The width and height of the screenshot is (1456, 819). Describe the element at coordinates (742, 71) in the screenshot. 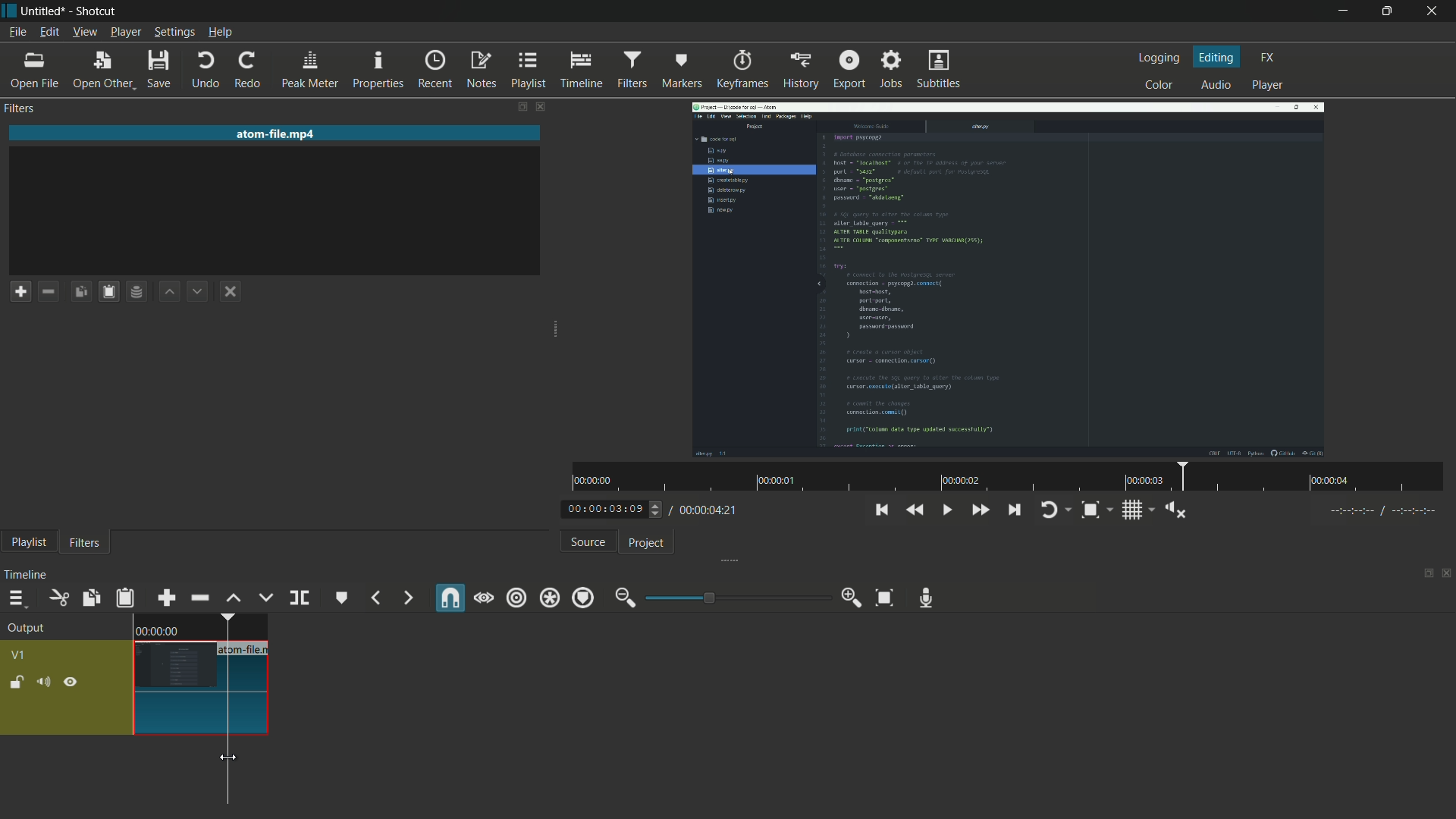

I see `keyframes` at that location.